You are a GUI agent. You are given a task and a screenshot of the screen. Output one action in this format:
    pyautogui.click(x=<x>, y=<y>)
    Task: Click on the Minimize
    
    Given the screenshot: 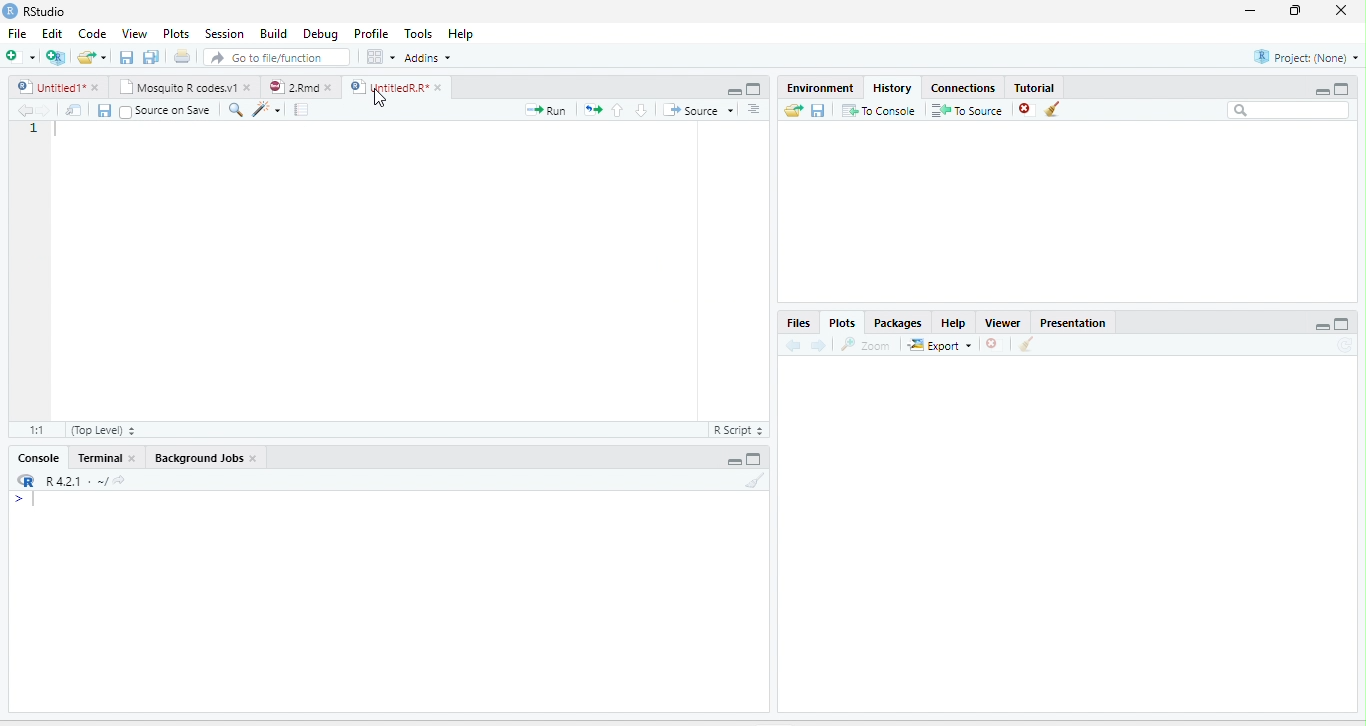 What is the action you would take?
    pyautogui.click(x=1321, y=91)
    